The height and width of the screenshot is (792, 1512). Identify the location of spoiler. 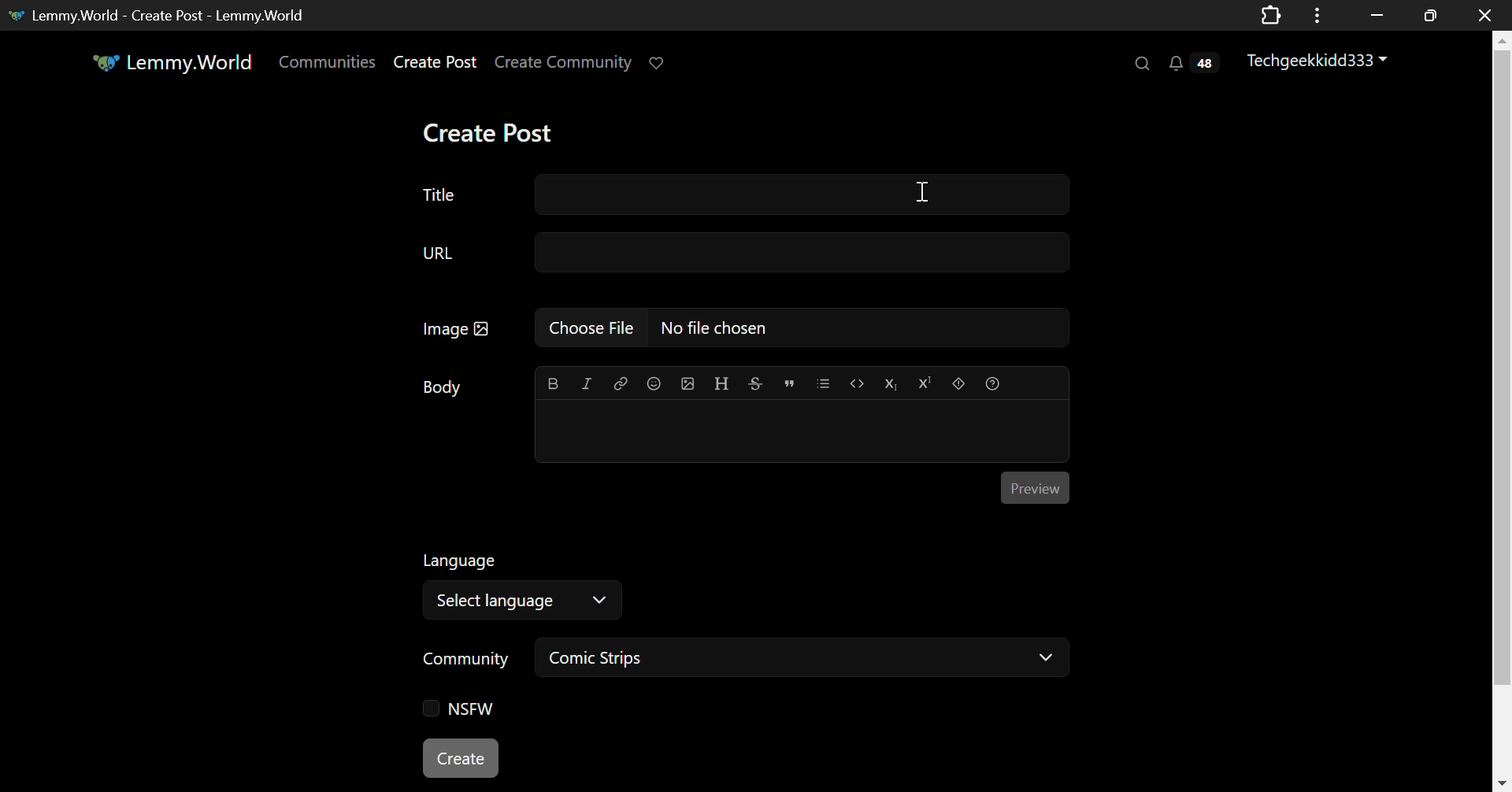
(956, 383).